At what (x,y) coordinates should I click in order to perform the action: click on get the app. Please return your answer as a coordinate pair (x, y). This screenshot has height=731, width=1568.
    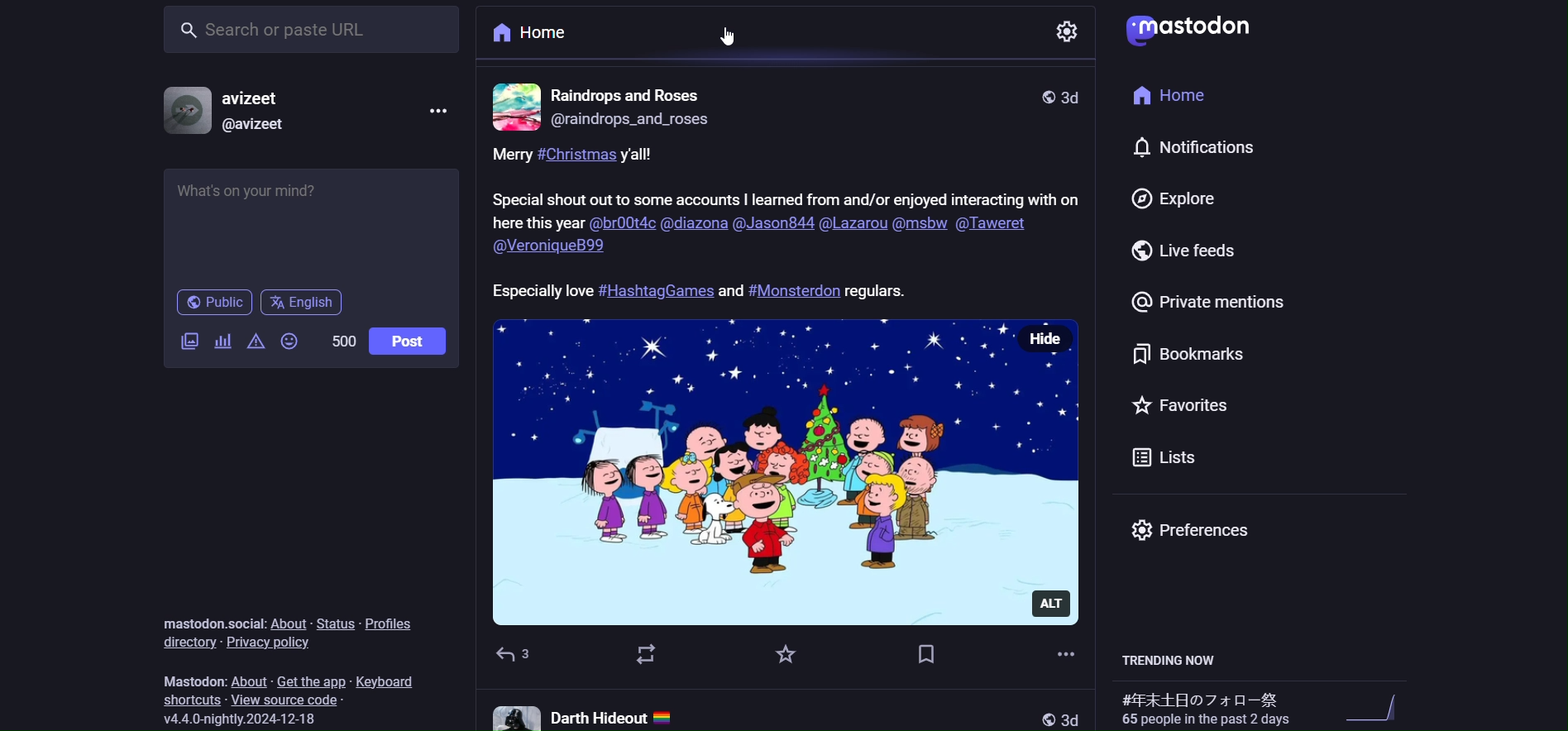
    Looking at the image, I should click on (308, 679).